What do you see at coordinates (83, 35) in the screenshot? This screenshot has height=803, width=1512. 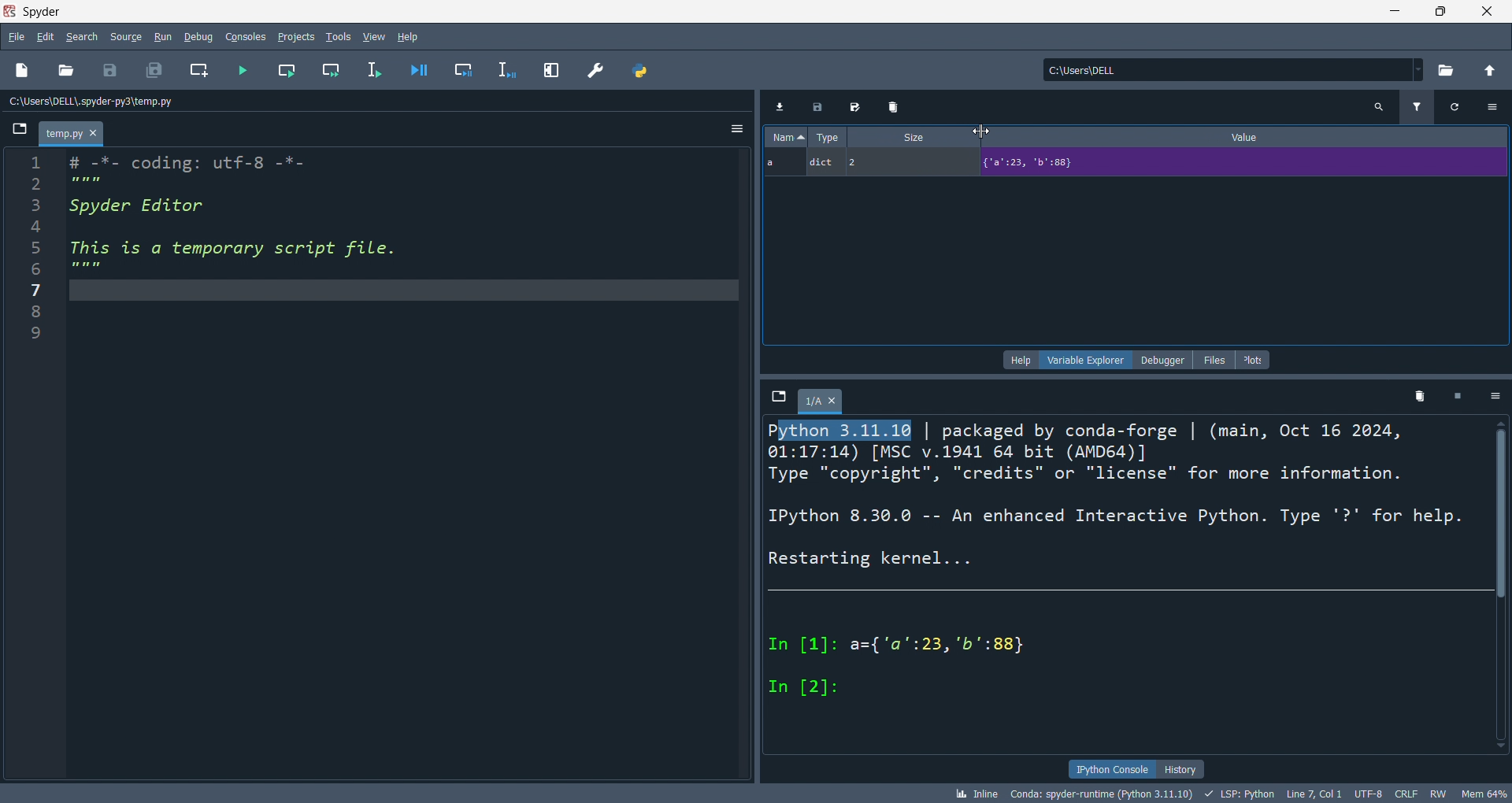 I see `search` at bounding box center [83, 35].